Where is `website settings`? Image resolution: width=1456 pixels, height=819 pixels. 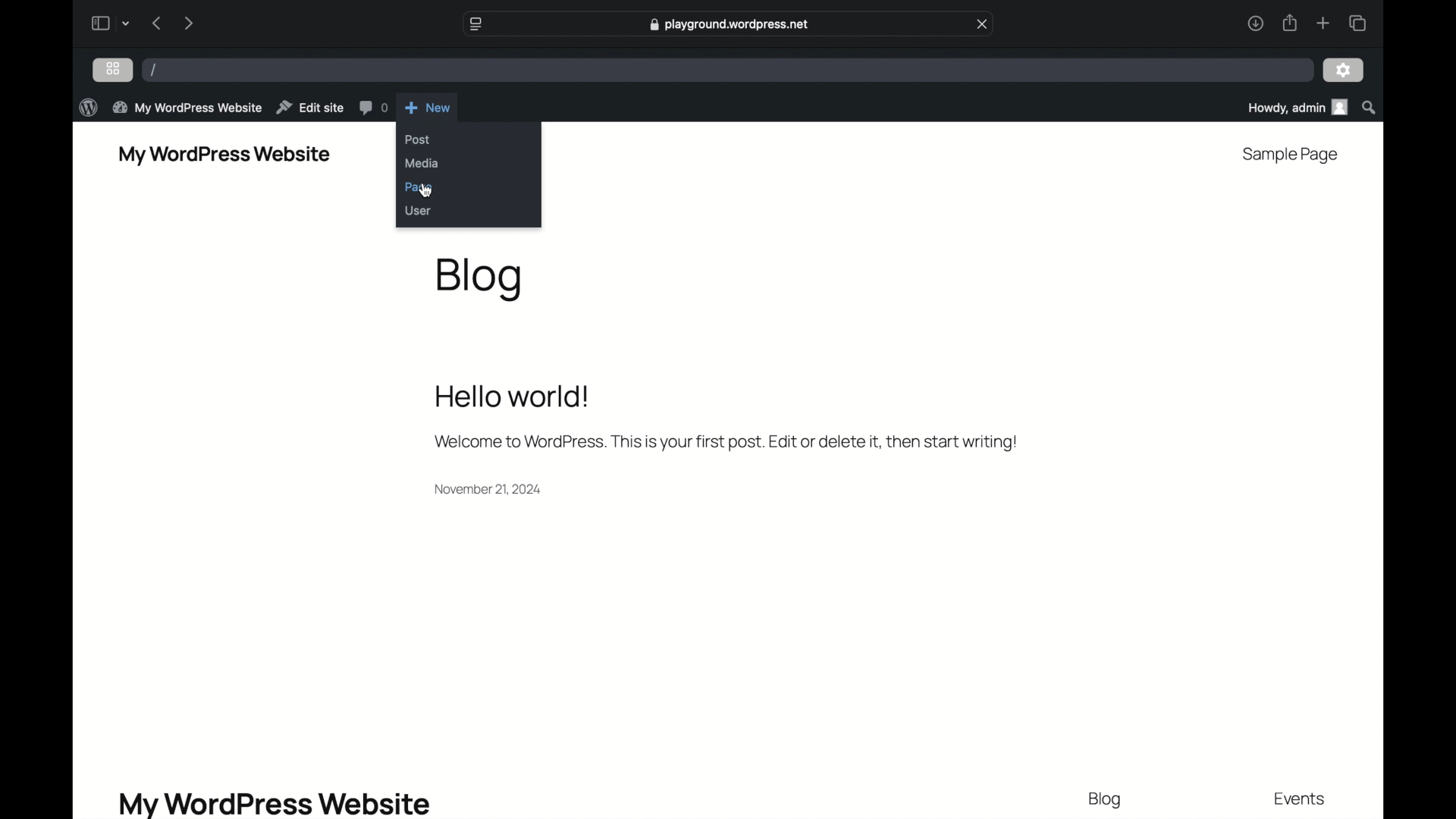
website settings is located at coordinates (474, 24).